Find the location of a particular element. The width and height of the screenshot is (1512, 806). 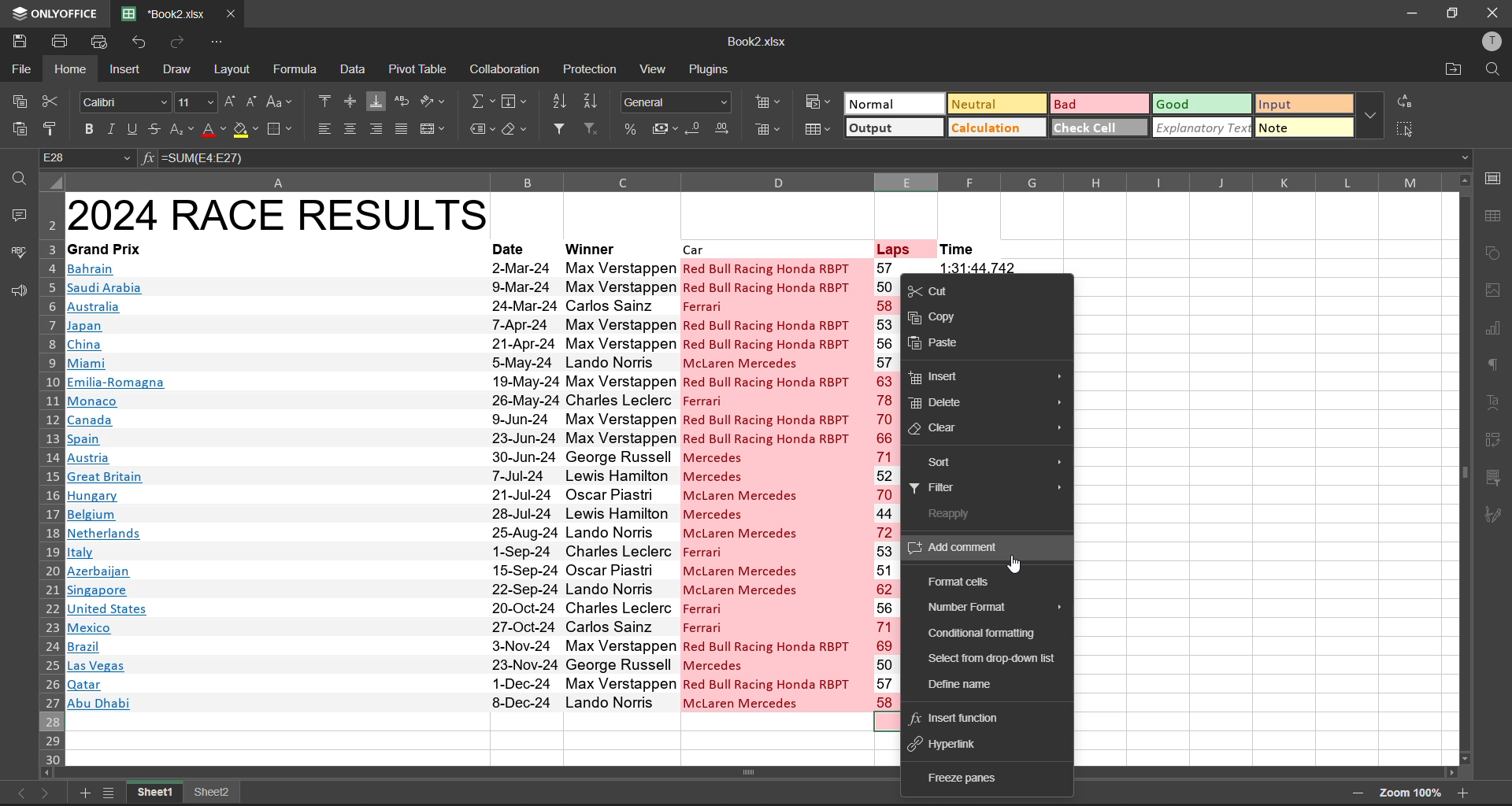

check cell is located at coordinates (1100, 128).